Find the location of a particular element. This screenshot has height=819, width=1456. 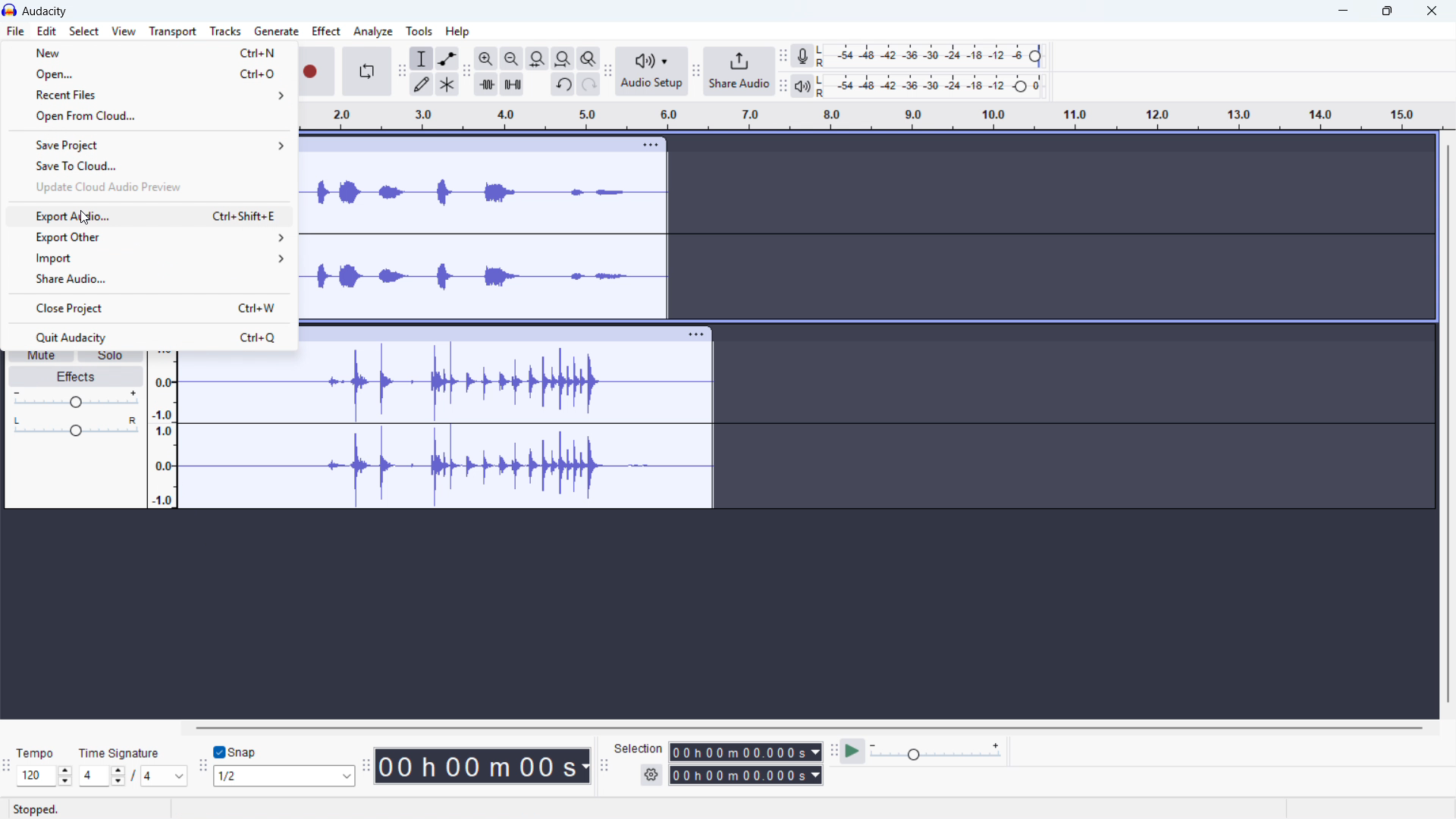

Set tempo  is located at coordinates (45, 776).